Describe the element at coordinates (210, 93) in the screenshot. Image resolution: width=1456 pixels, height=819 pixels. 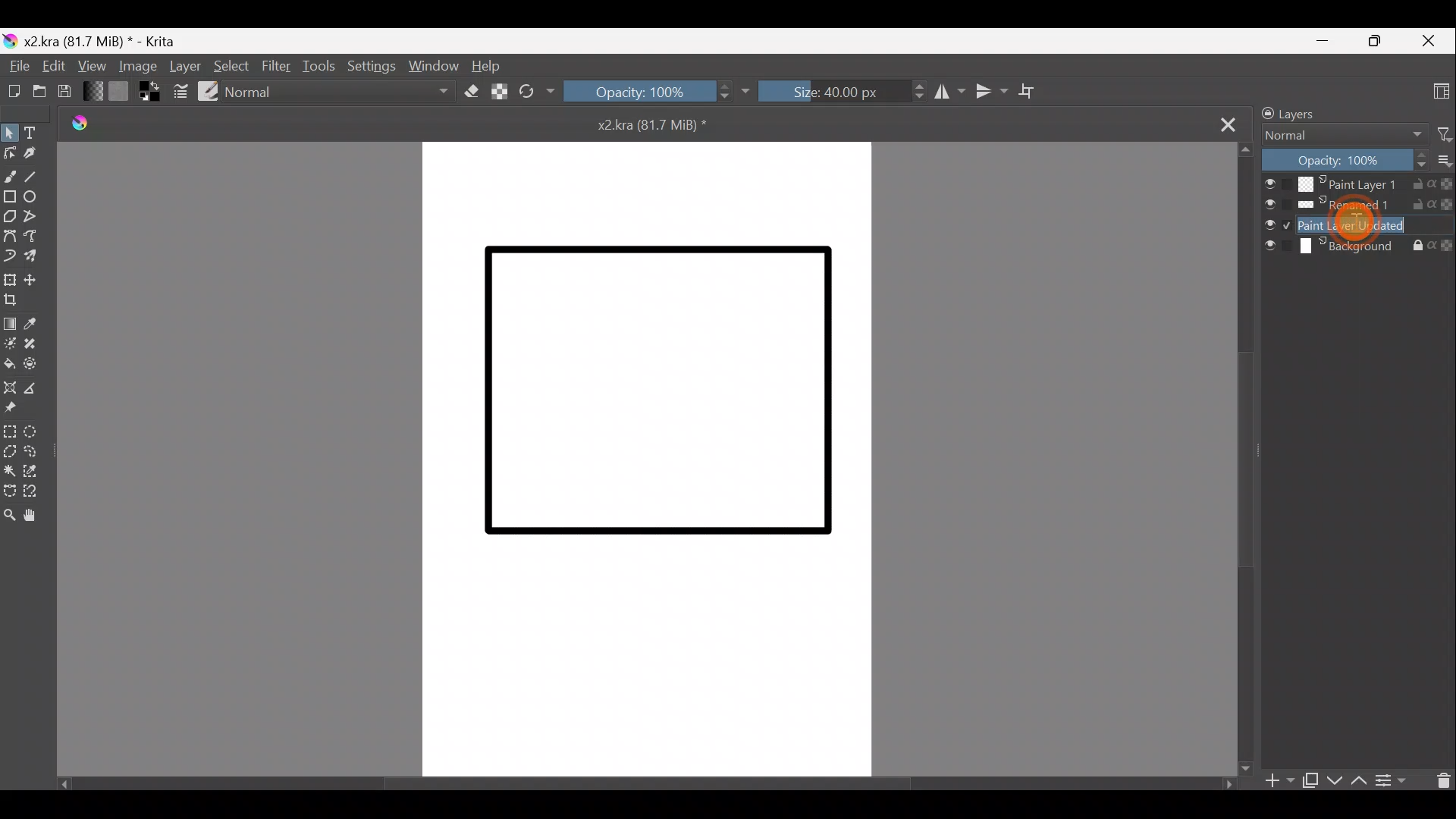
I see `Choose brush preset` at that location.